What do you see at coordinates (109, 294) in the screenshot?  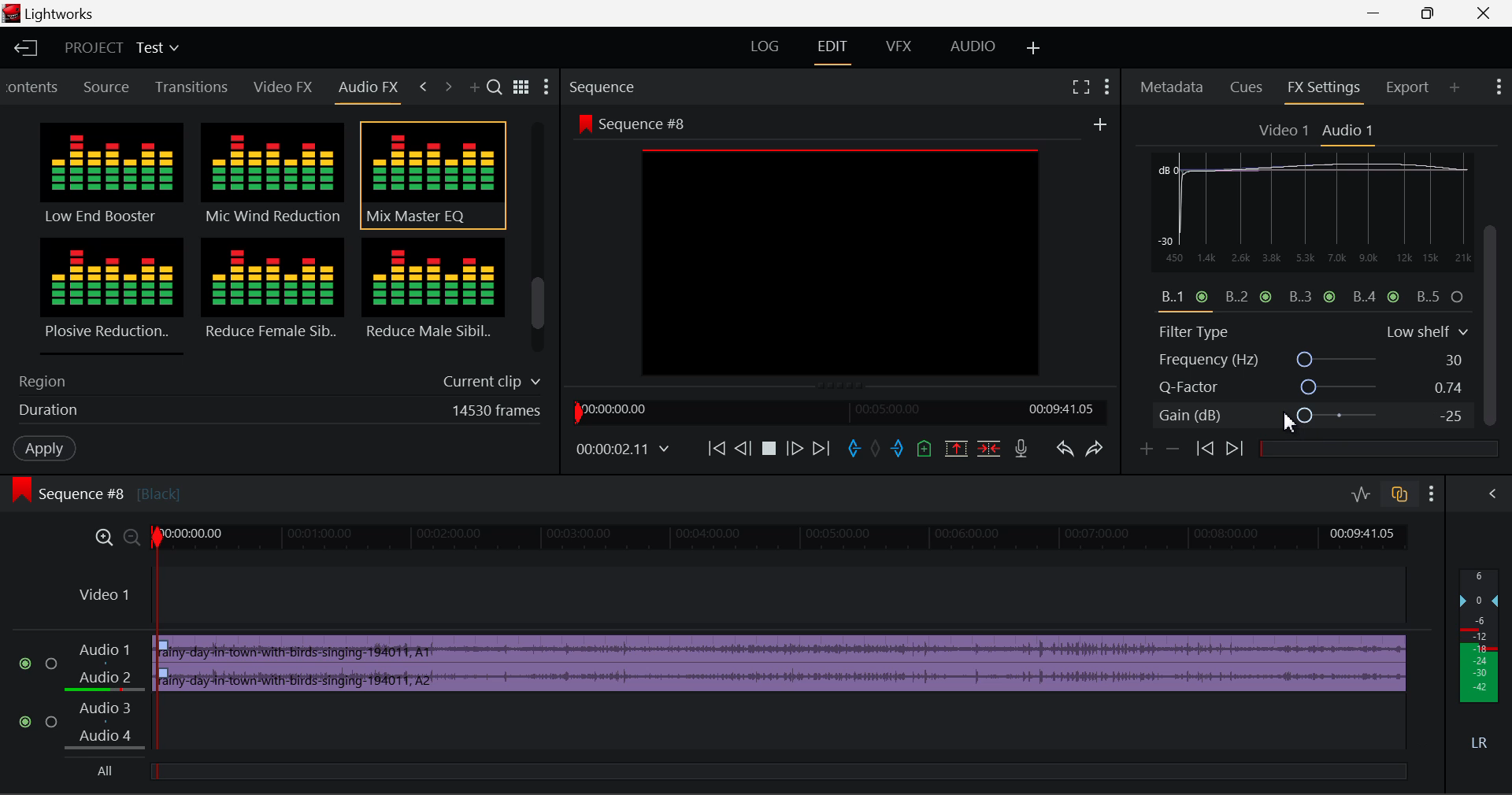 I see `Plosive Reduction` at bounding box center [109, 294].